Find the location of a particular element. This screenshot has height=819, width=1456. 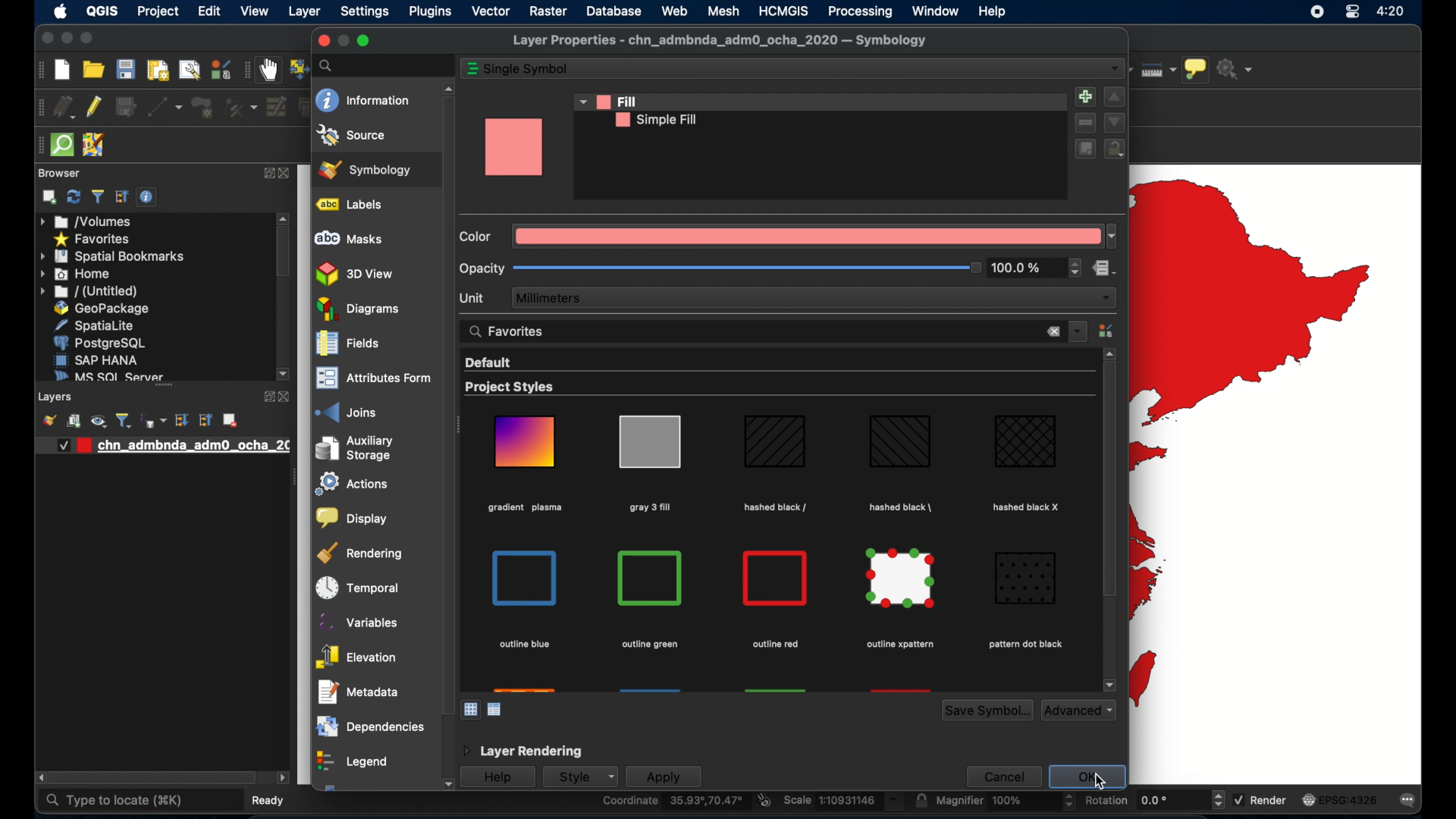

ok is located at coordinates (1090, 777).